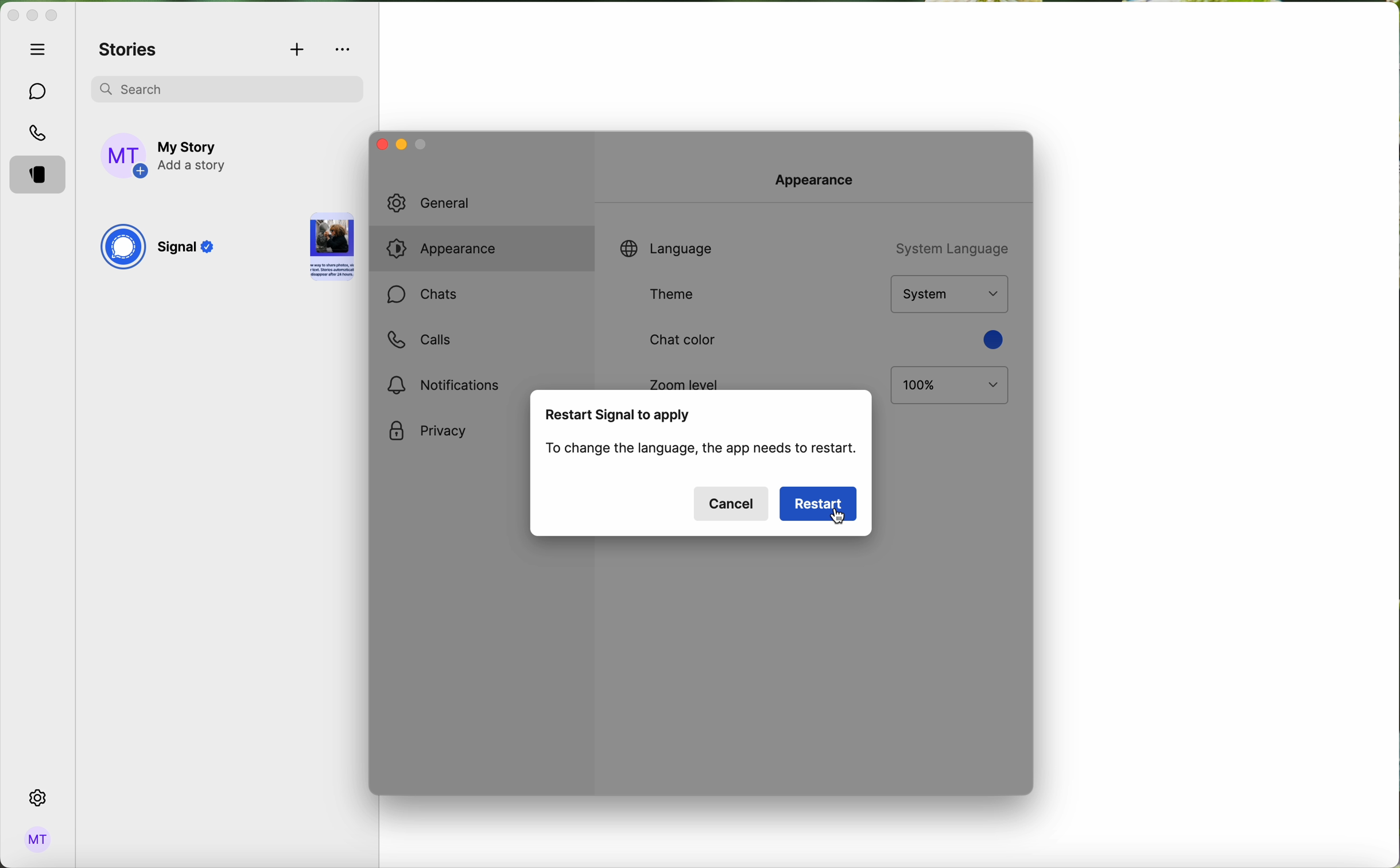 Image resolution: width=1400 pixels, height=868 pixels. I want to click on chats, so click(38, 92).